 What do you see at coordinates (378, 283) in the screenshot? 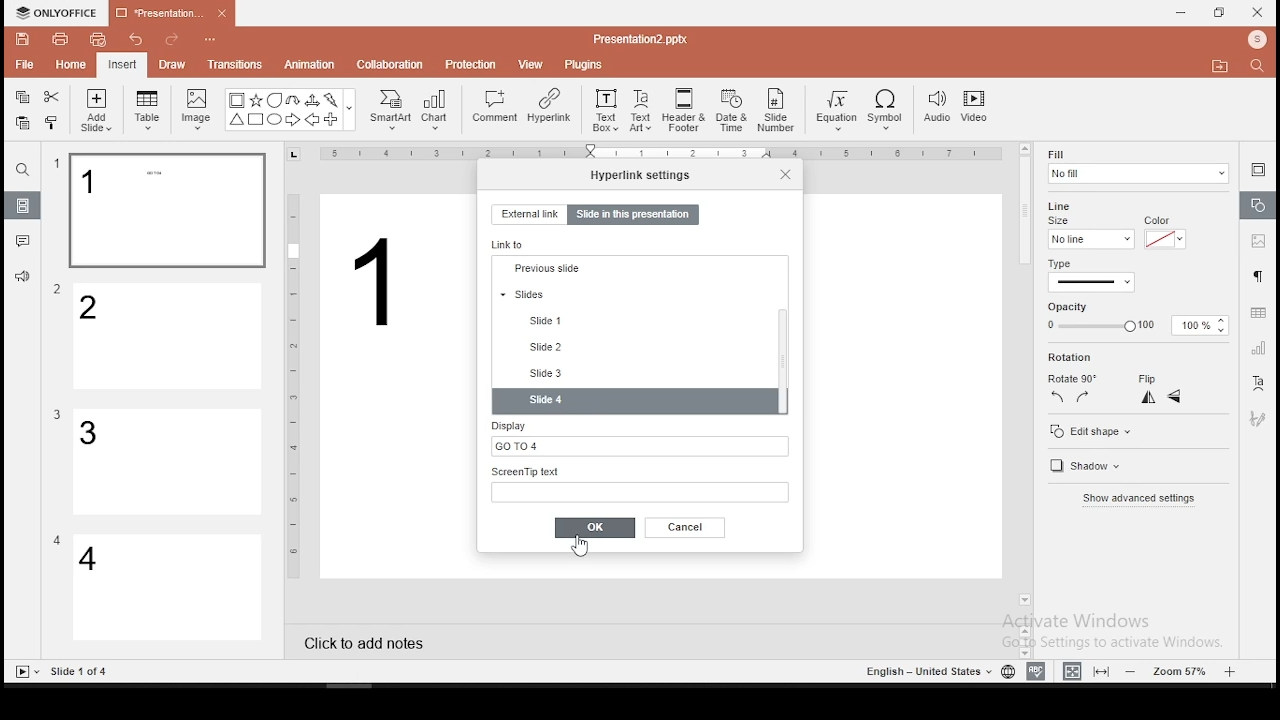
I see `` at bounding box center [378, 283].